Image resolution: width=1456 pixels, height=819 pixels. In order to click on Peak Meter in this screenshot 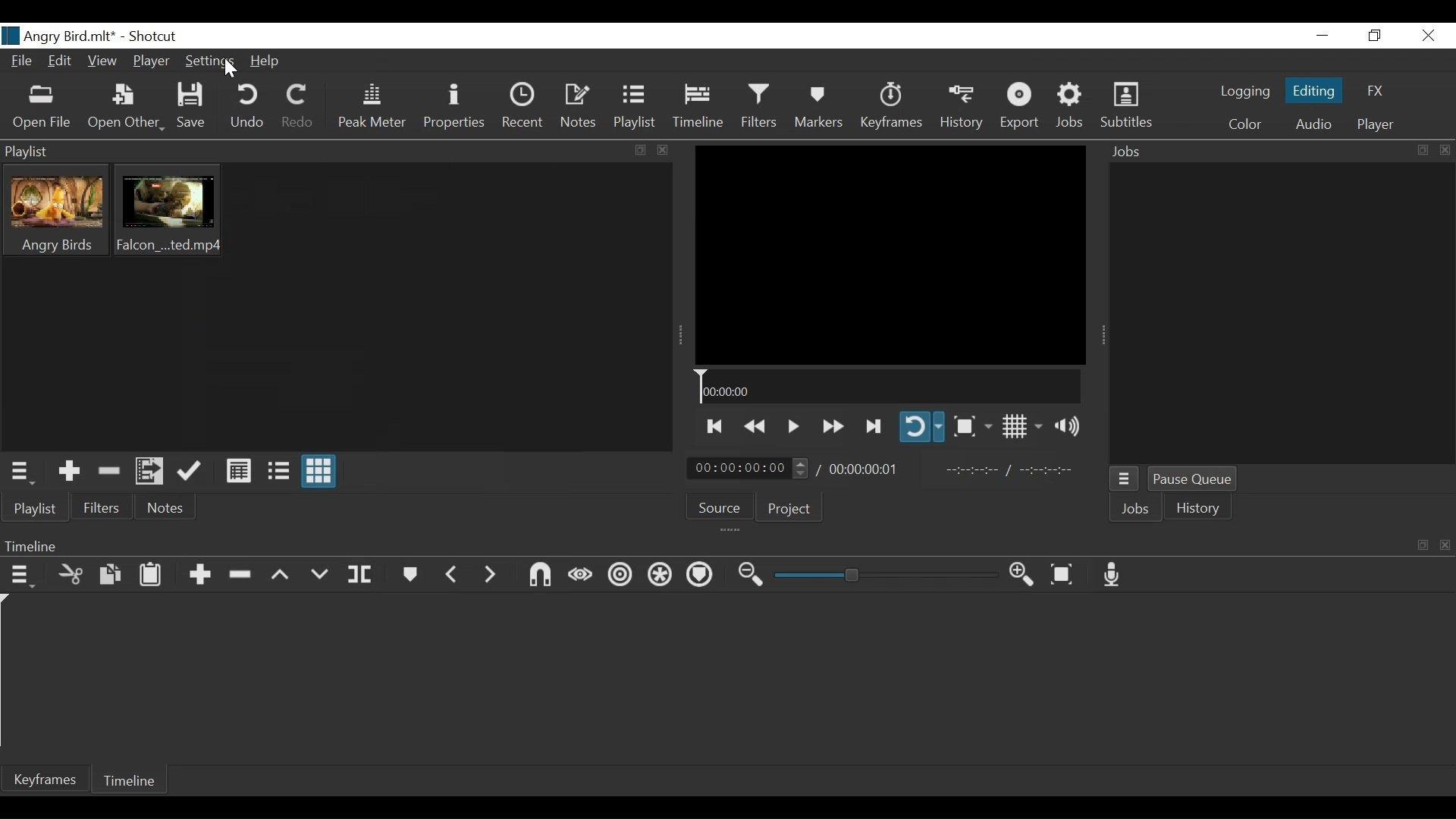, I will do `click(369, 108)`.